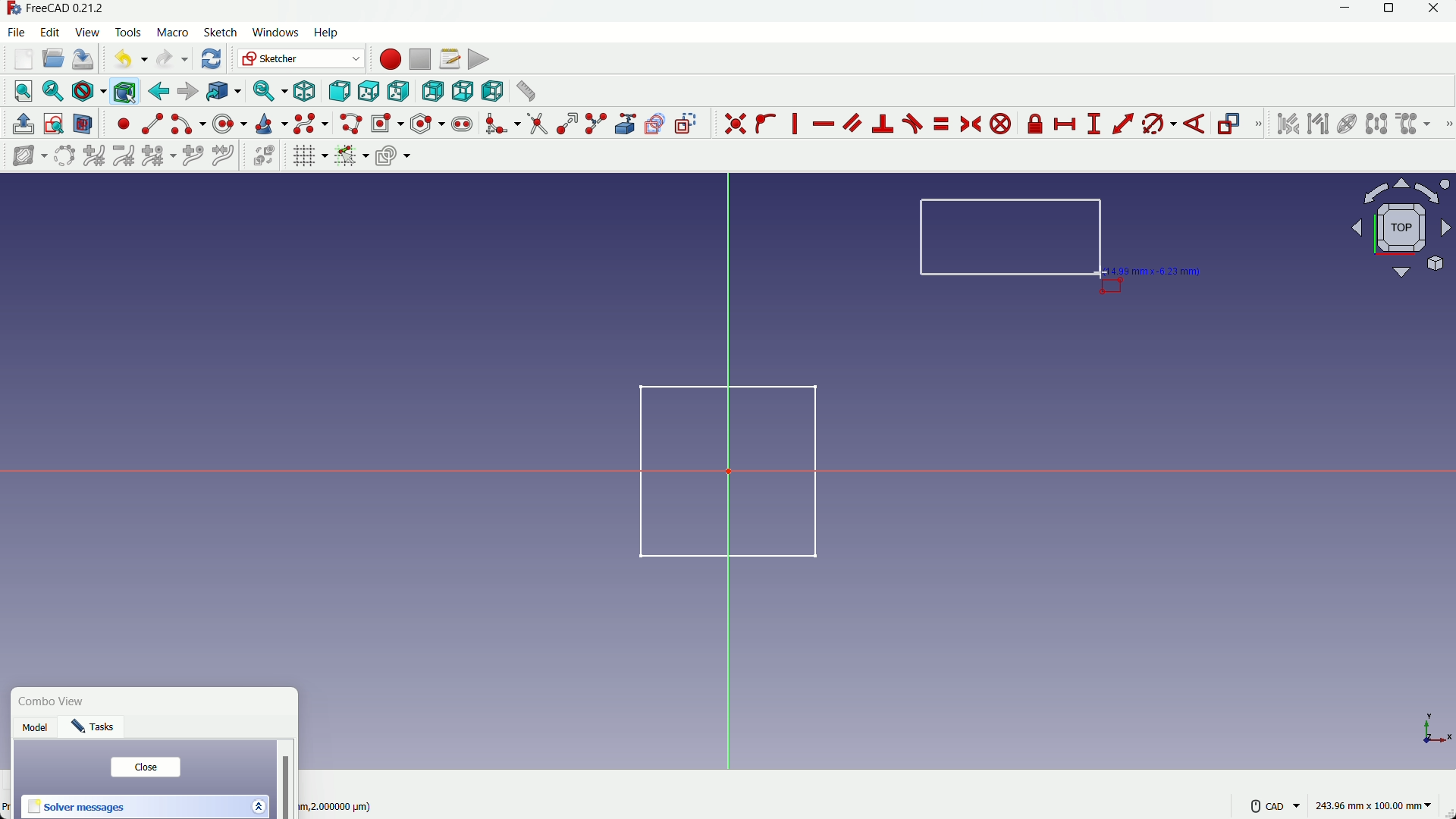 This screenshot has width=1456, height=819. What do you see at coordinates (24, 124) in the screenshot?
I see `leave sketch` at bounding box center [24, 124].